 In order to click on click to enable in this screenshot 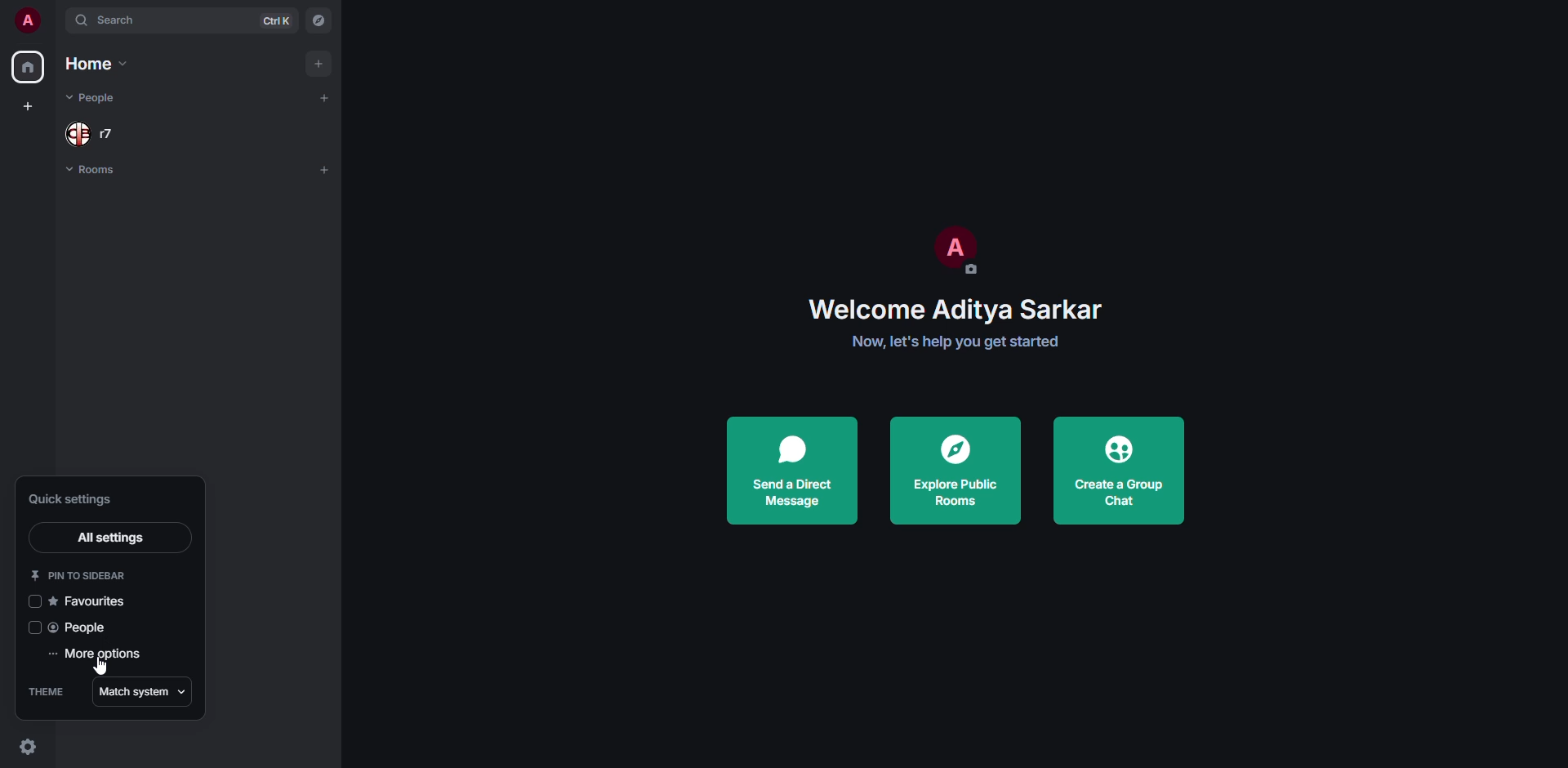, I will do `click(32, 602)`.